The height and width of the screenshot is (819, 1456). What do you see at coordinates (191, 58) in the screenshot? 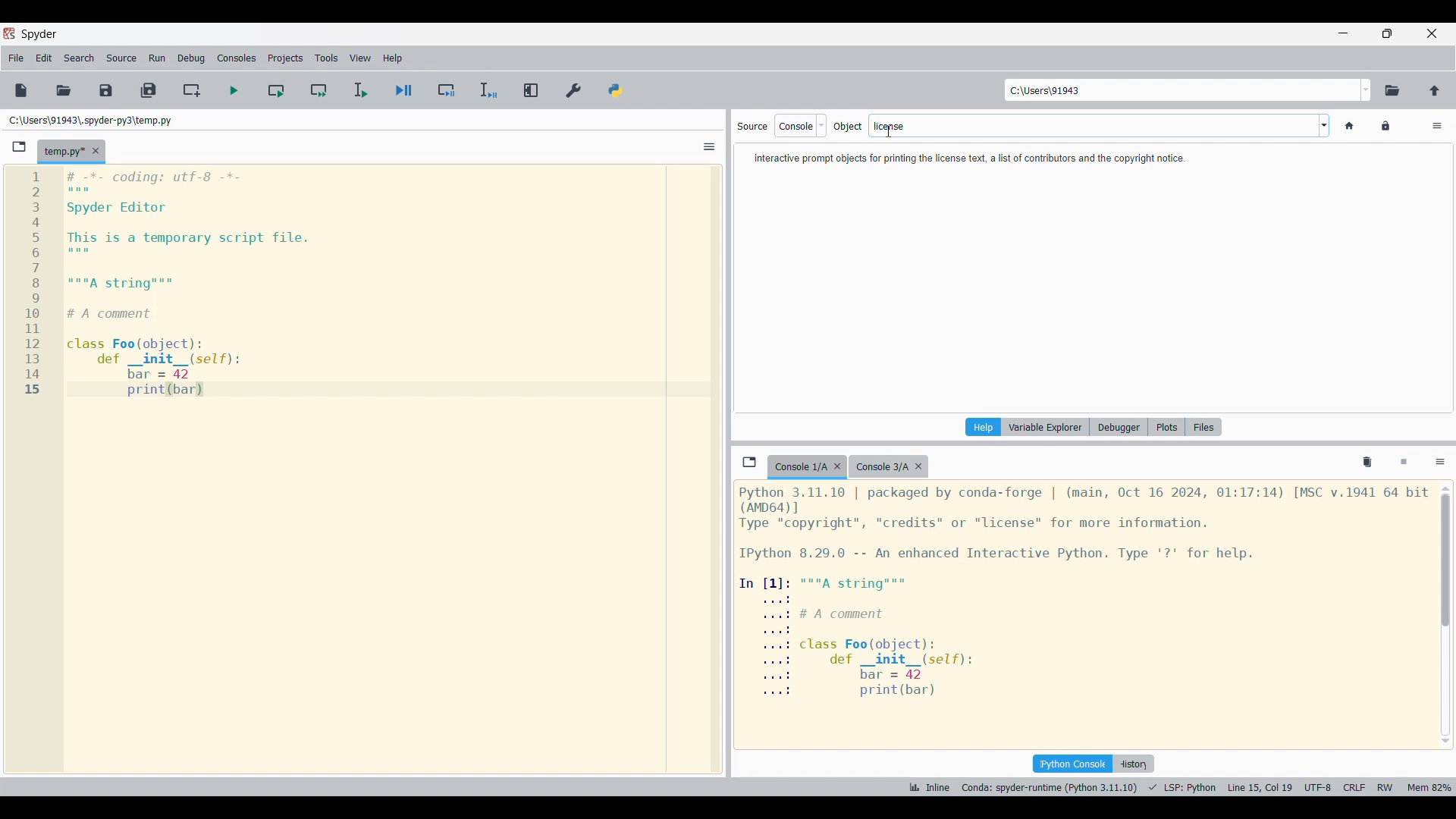
I see `Debug menu` at bounding box center [191, 58].